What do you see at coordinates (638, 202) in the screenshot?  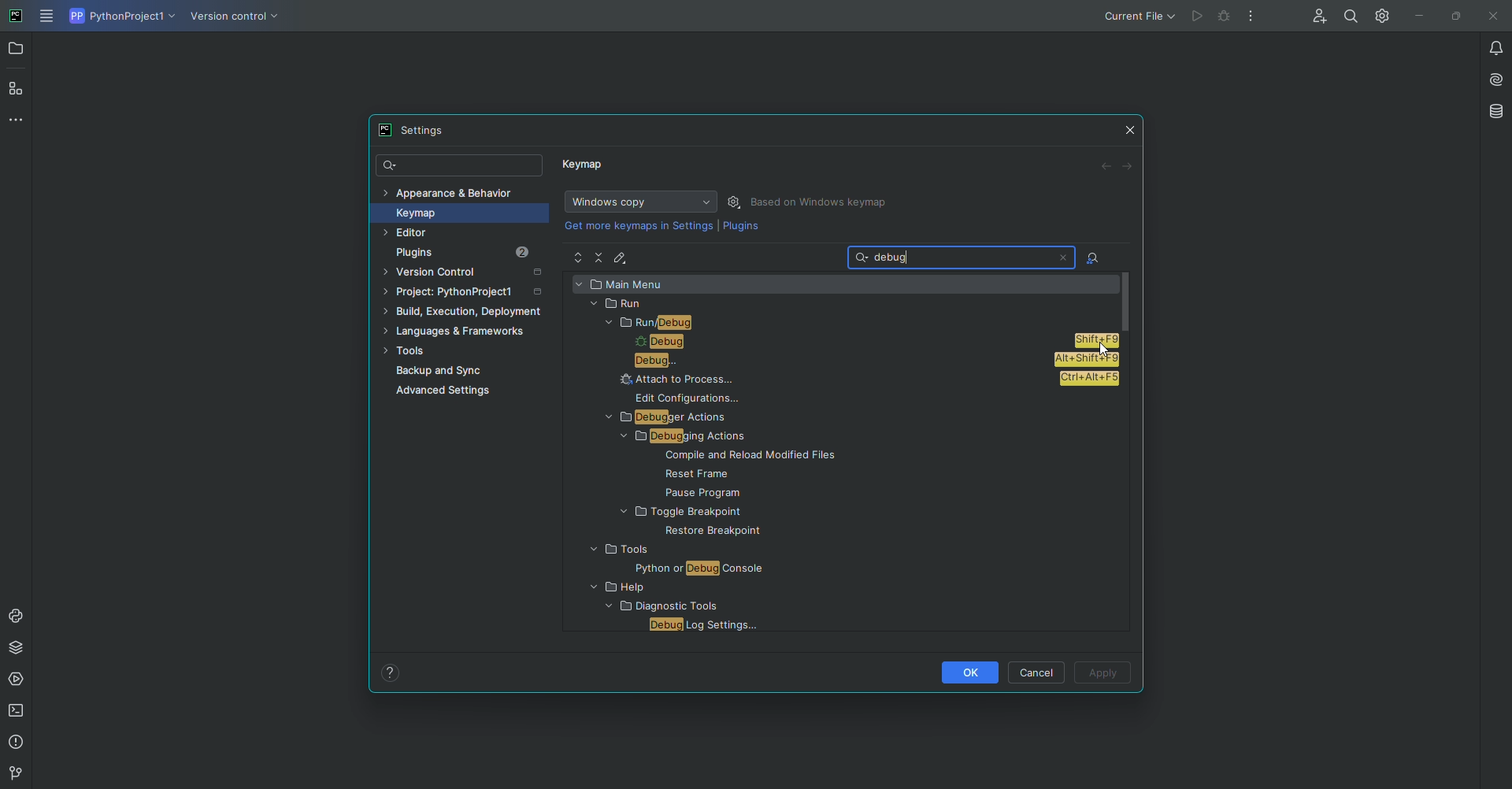 I see `Windows Copy` at bounding box center [638, 202].